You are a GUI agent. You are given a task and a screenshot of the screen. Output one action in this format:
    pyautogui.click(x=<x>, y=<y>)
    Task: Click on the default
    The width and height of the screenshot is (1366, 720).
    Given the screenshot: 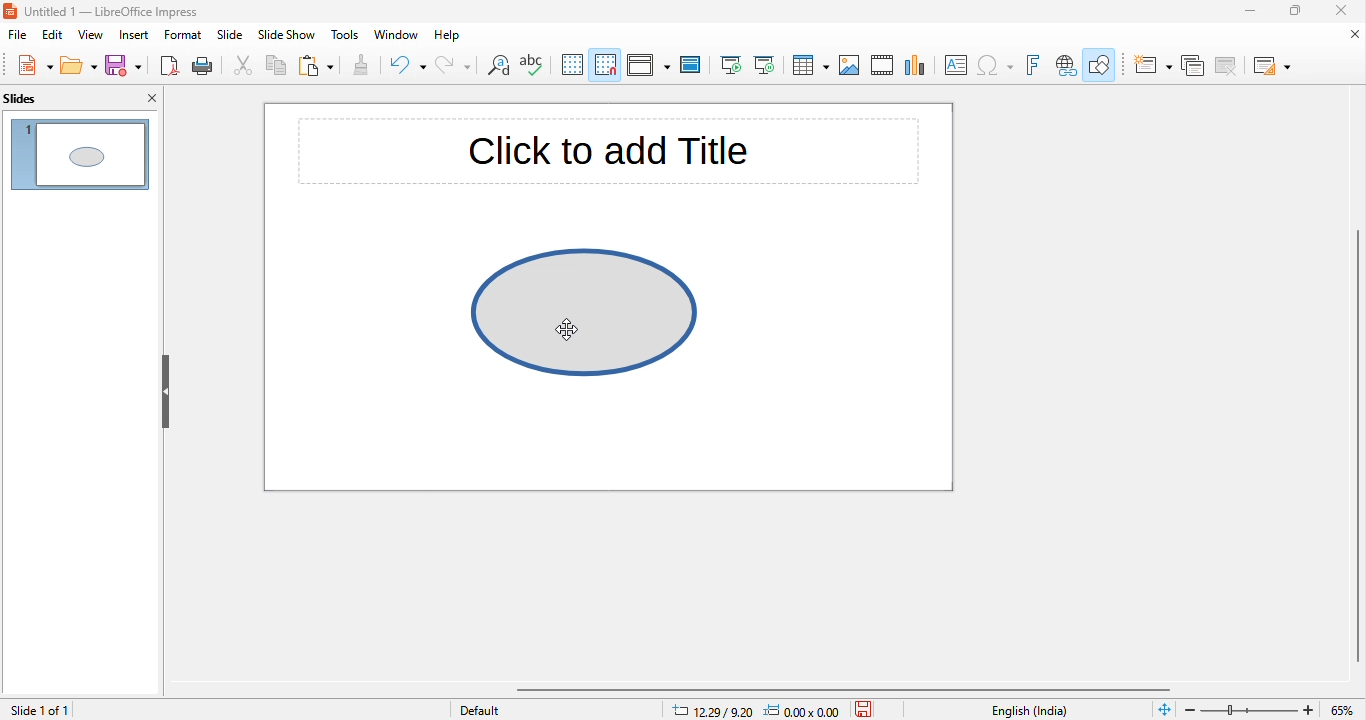 What is the action you would take?
    pyautogui.click(x=493, y=709)
    